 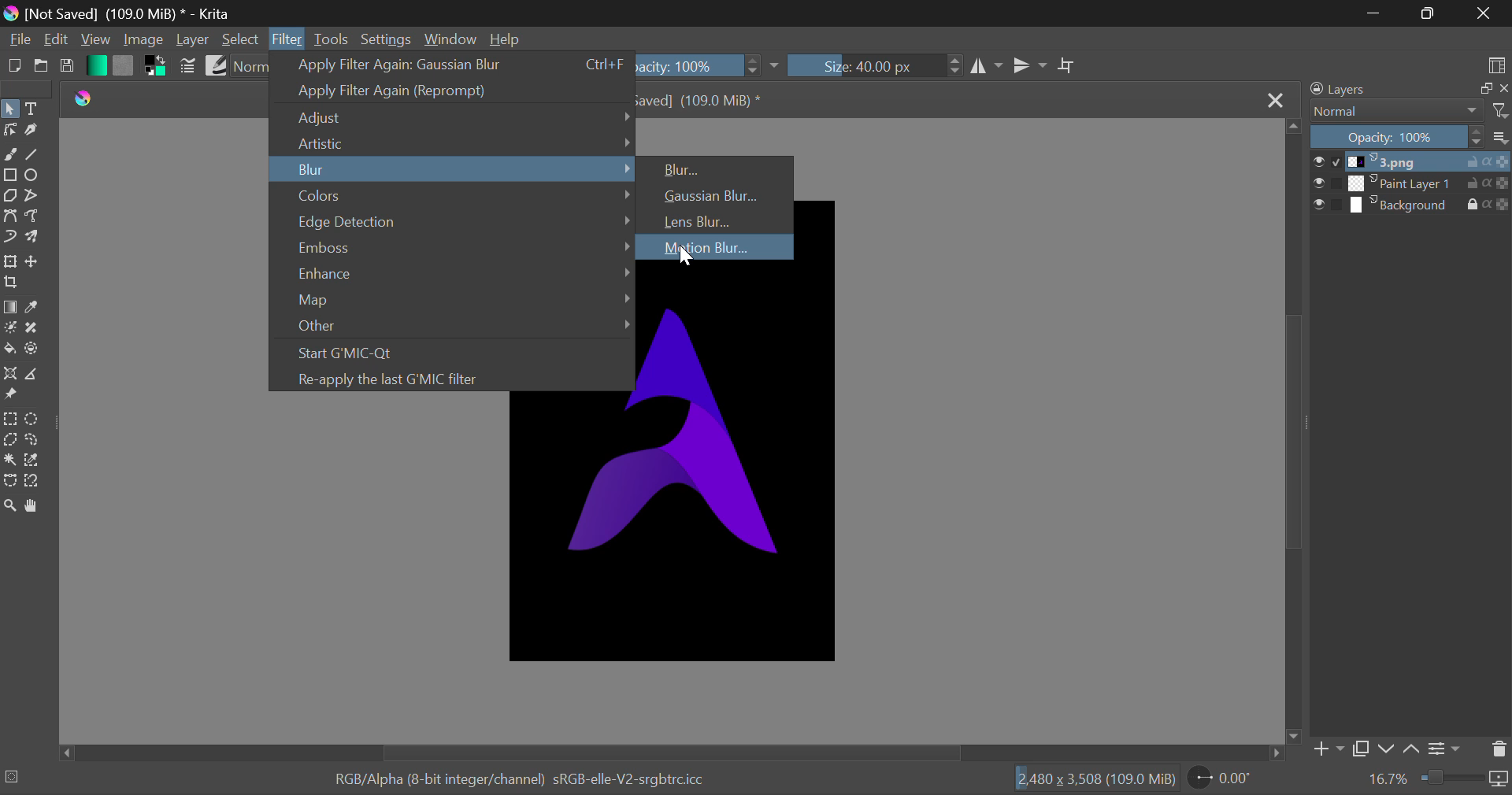 What do you see at coordinates (33, 484) in the screenshot?
I see `Magnetic Selection Tool` at bounding box center [33, 484].